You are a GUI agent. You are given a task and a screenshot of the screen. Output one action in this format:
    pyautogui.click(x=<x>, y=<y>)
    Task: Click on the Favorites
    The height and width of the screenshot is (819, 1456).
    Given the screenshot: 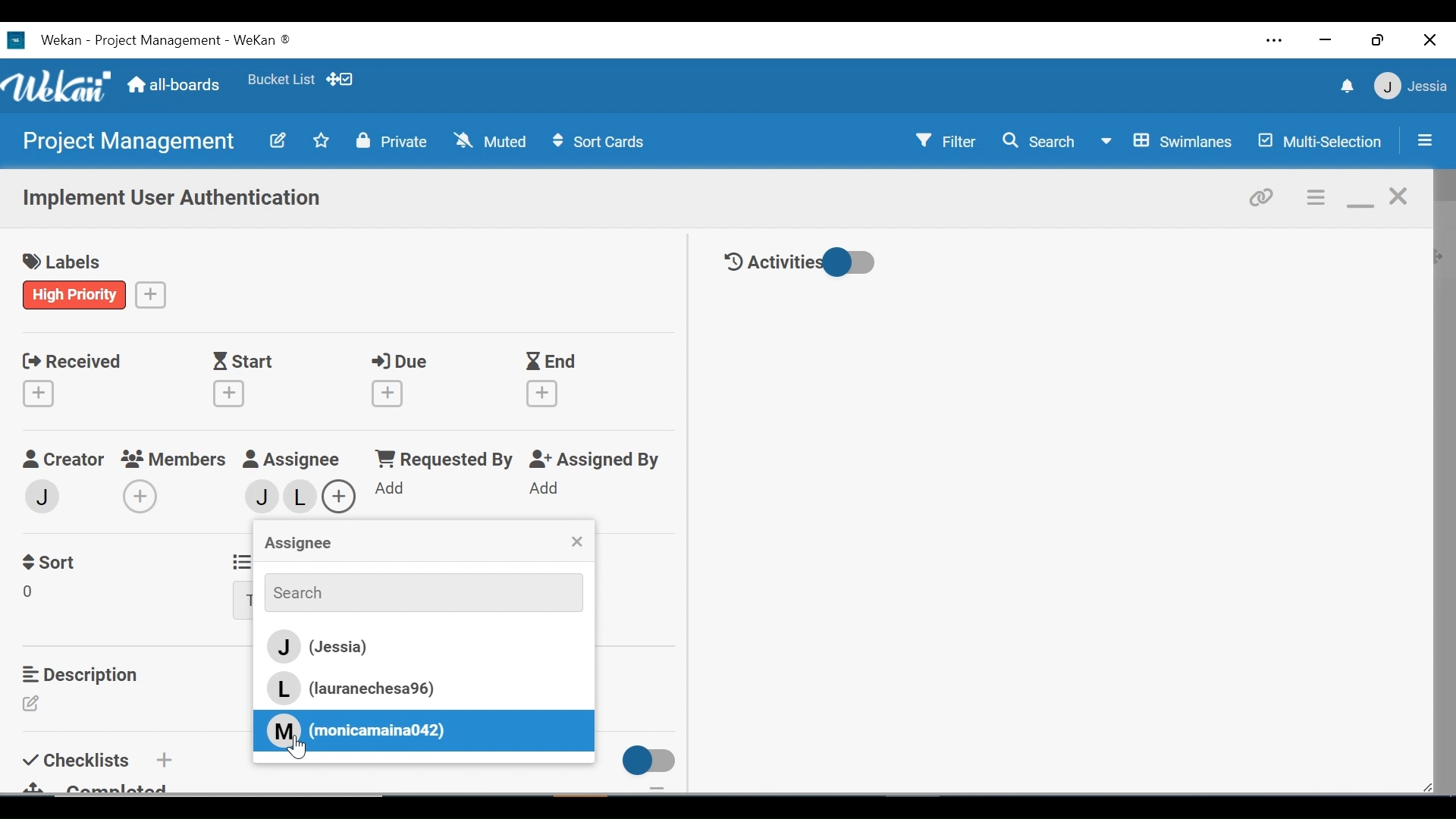 What is the action you would take?
    pyautogui.click(x=322, y=140)
    